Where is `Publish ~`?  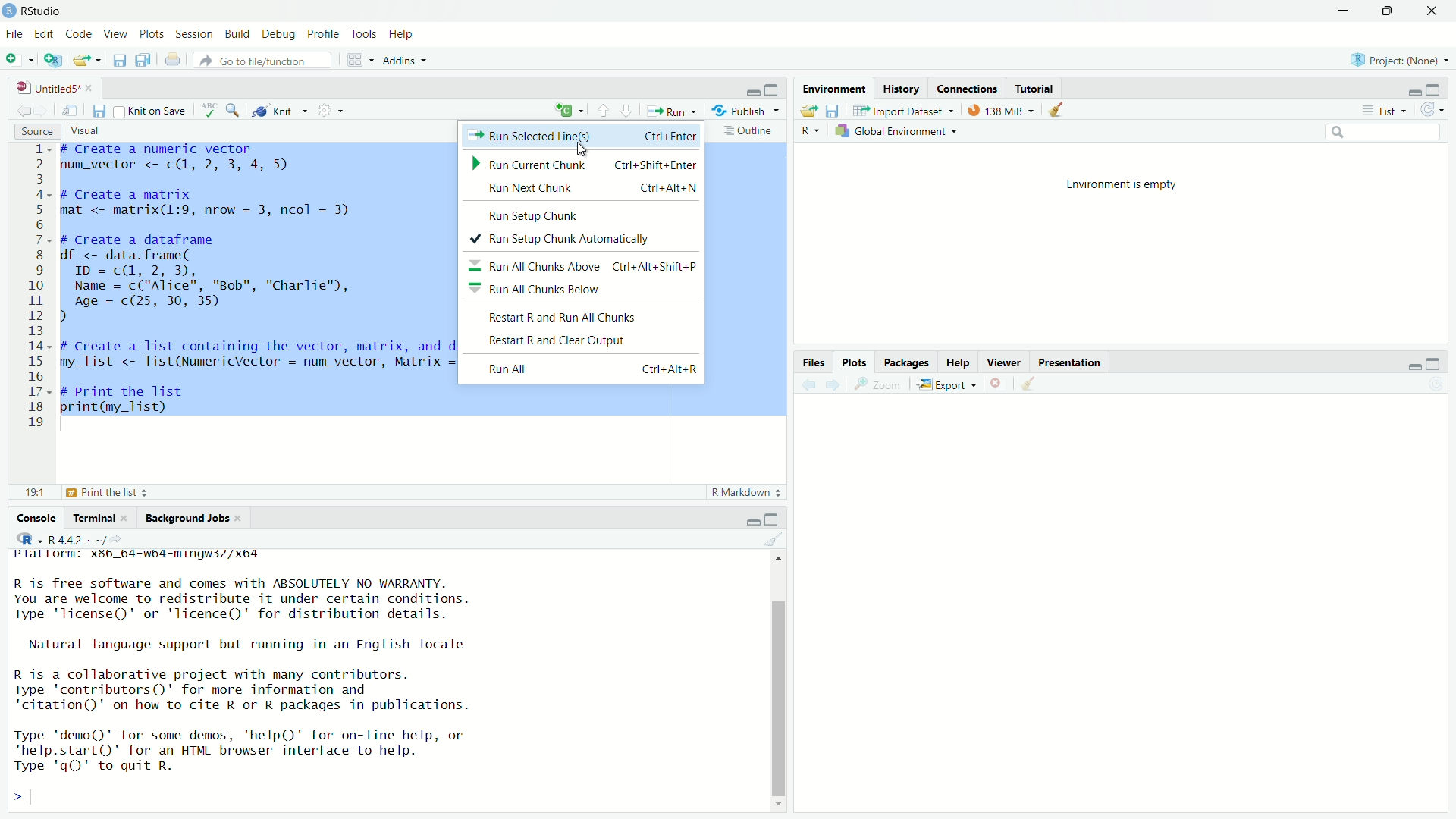 Publish ~ is located at coordinates (747, 111).